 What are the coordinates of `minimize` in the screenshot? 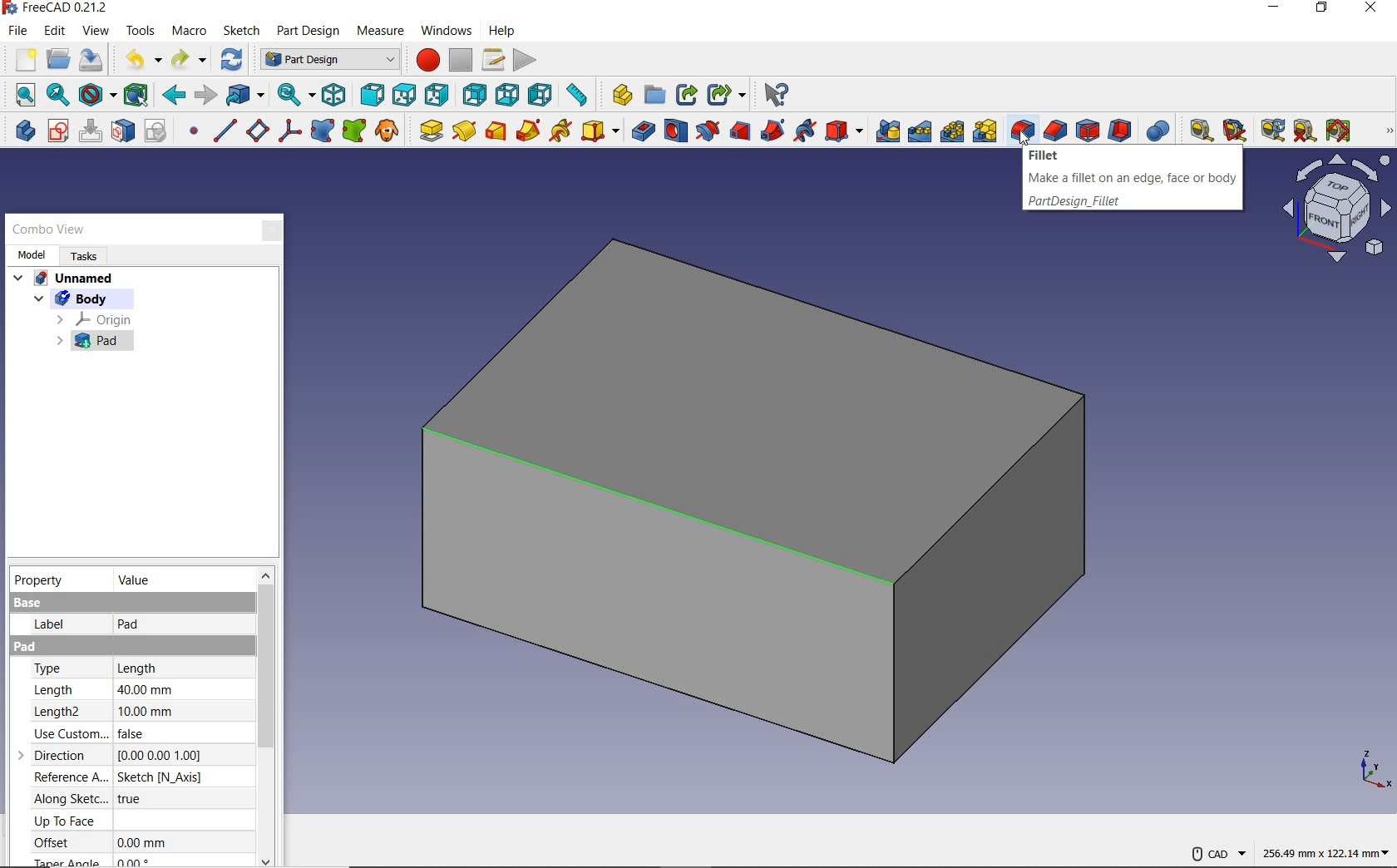 It's located at (1273, 7).